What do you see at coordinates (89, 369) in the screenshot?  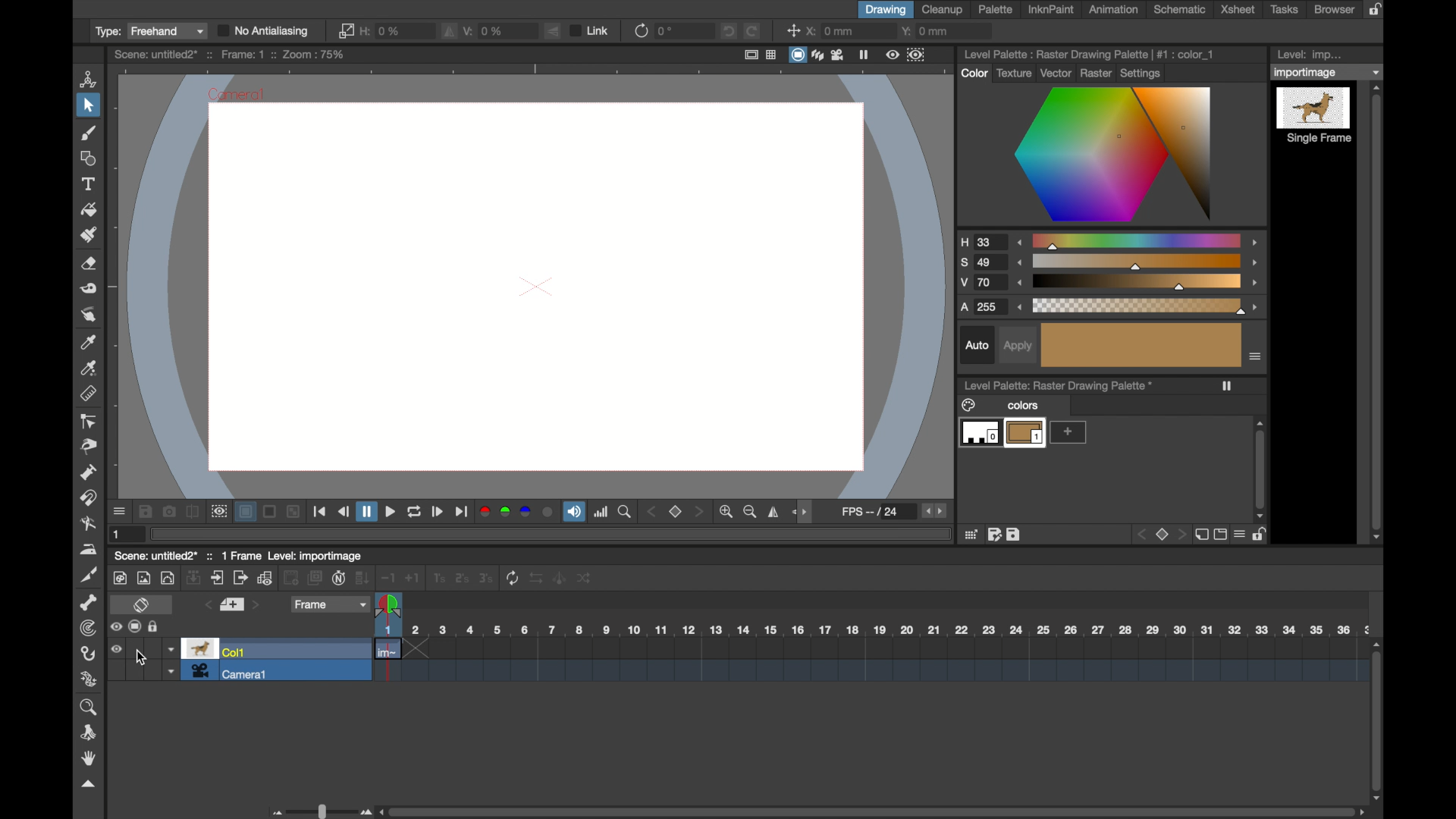 I see `rgbpicker tool` at bounding box center [89, 369].